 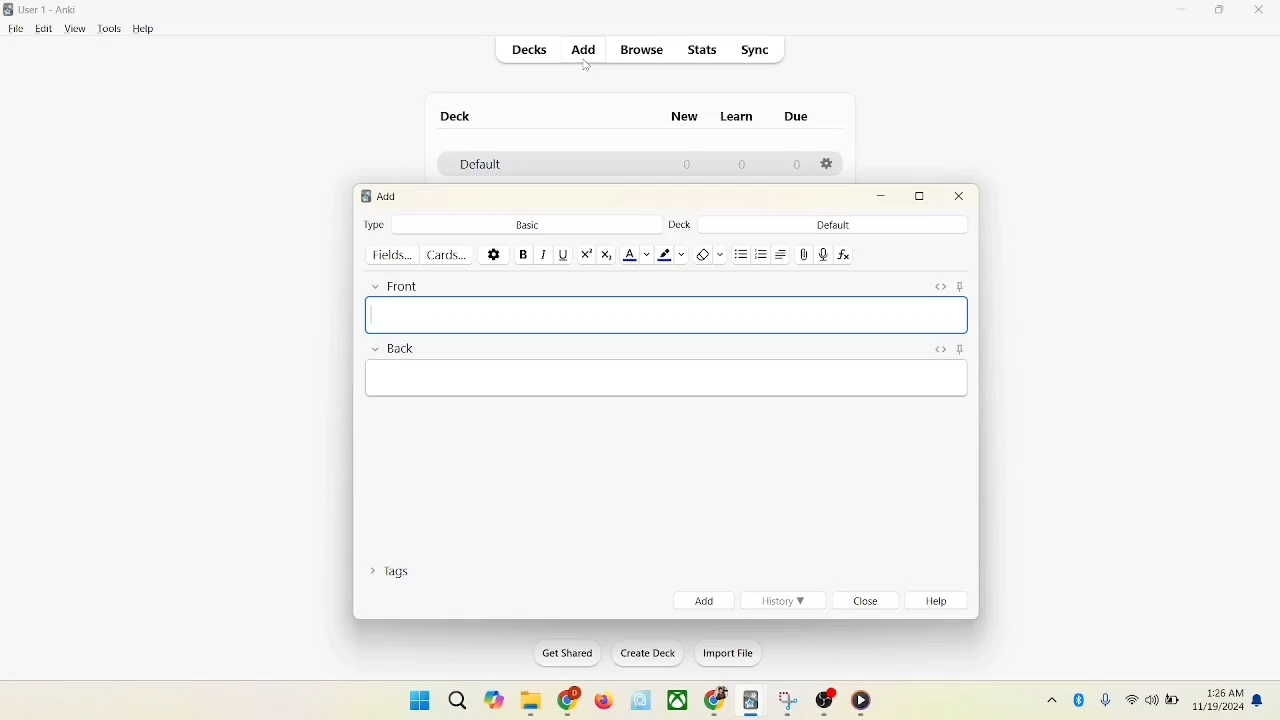 I want to click on search, so click(x=456, y=696).